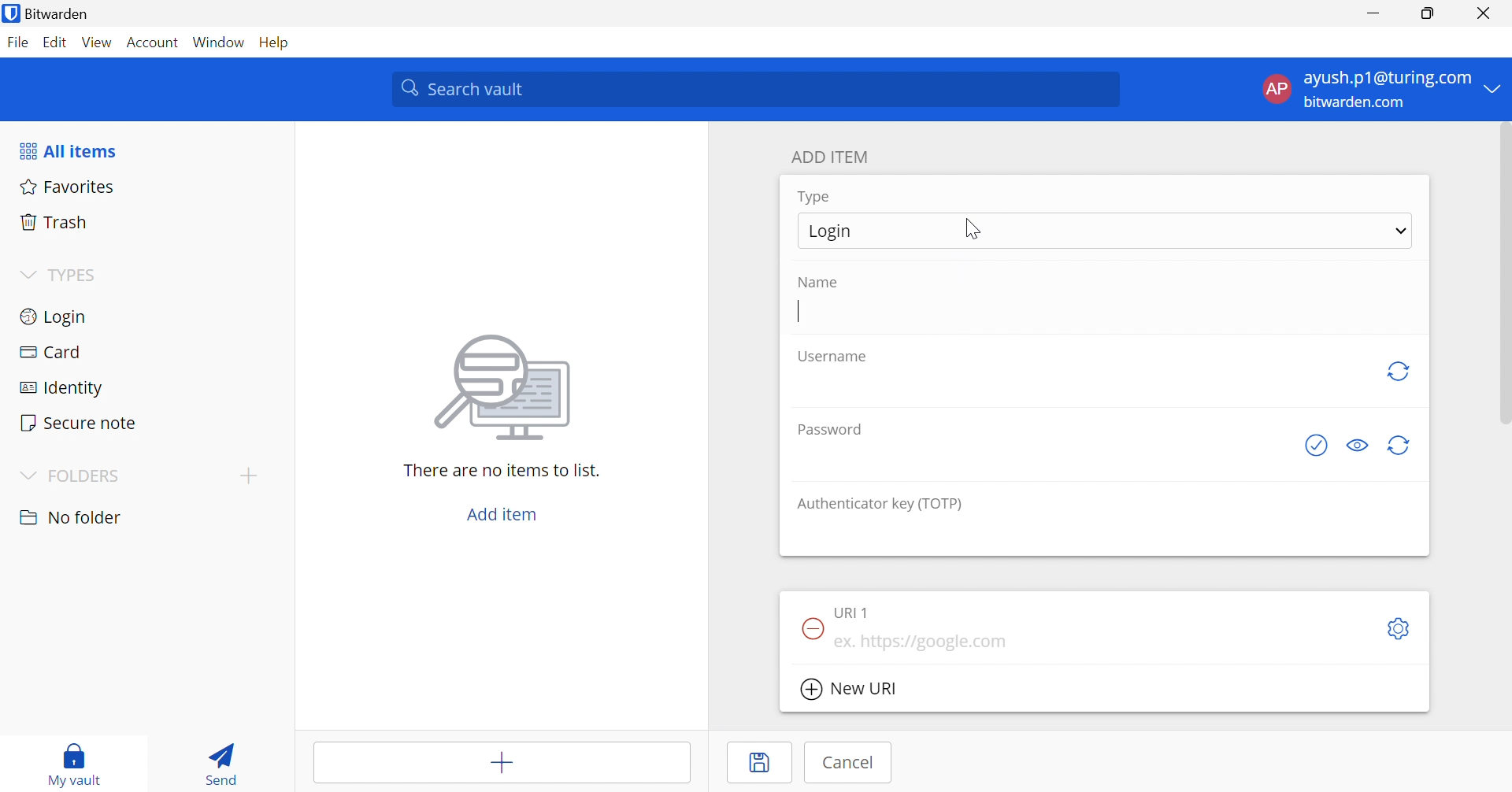 This screenshot has width=1512, height=792. What do you see at coordinates (854, 690) in the screenshot?
I see `New URI` at bounding box center [854, 690].